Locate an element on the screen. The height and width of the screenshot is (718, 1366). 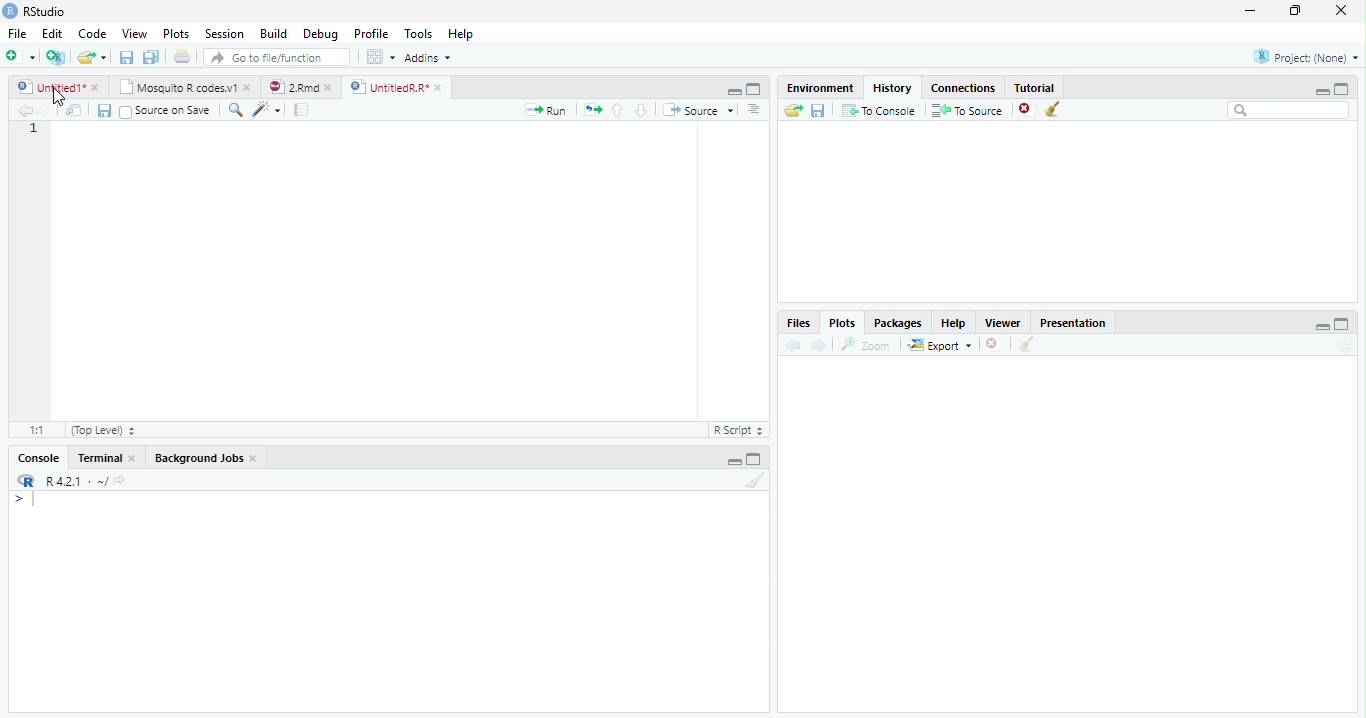
Print  the current file is located at coordinates (183, 57).